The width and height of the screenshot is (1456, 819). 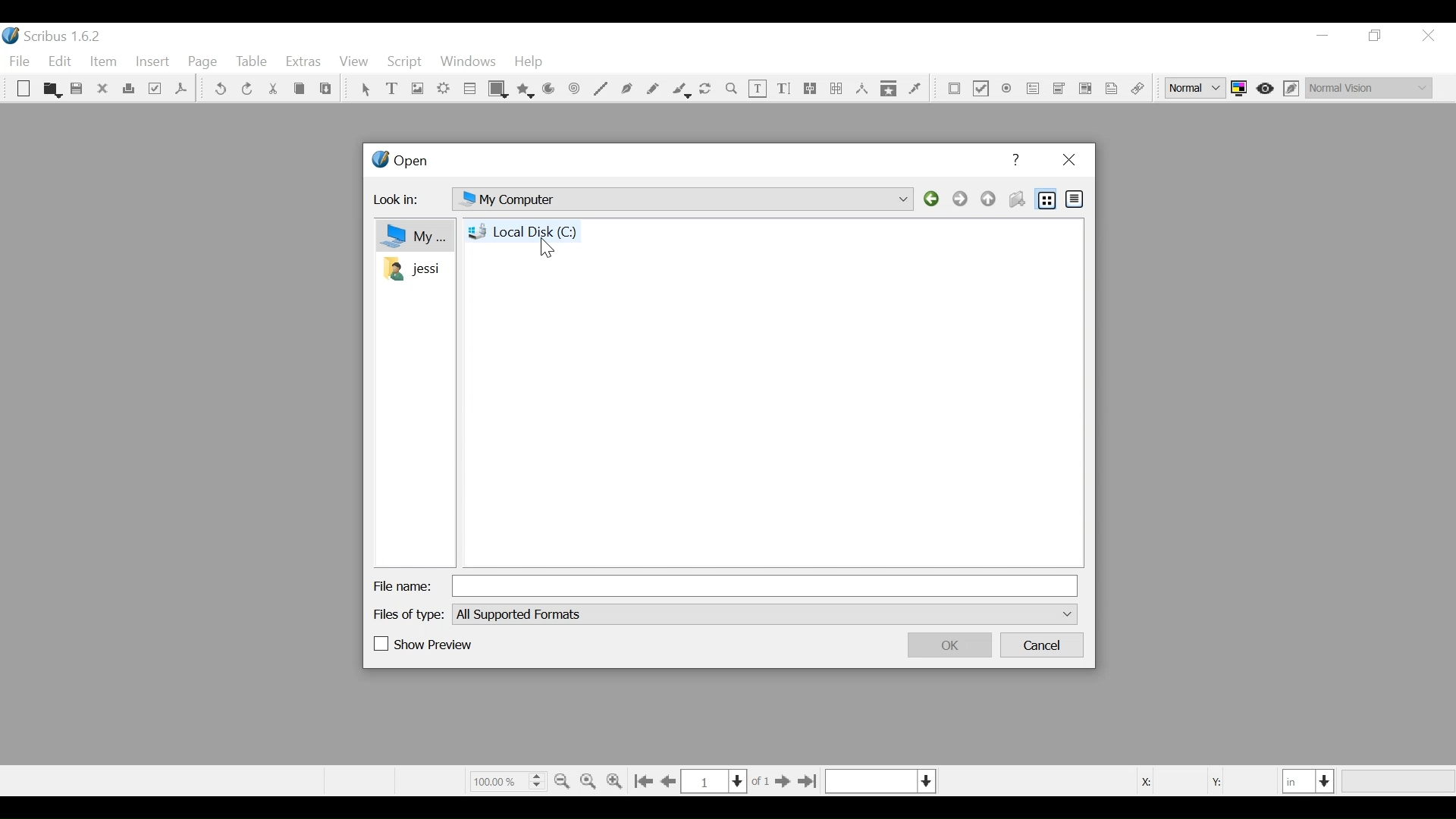 What do you see at coordinates (1243, 88) in the screenshot?
I see `Toggle color` at bounding box center [1243, 88].